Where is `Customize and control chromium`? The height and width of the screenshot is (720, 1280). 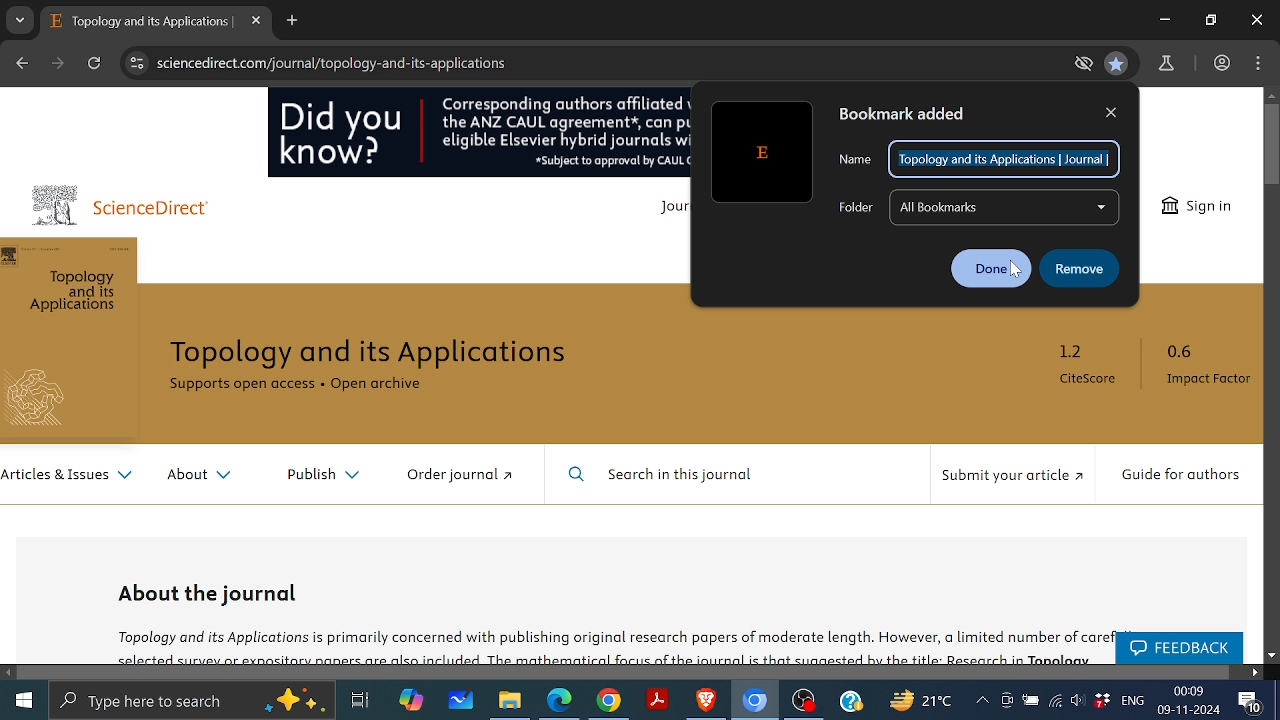 Customize and control chromium is located at coordinates (1257, 63).